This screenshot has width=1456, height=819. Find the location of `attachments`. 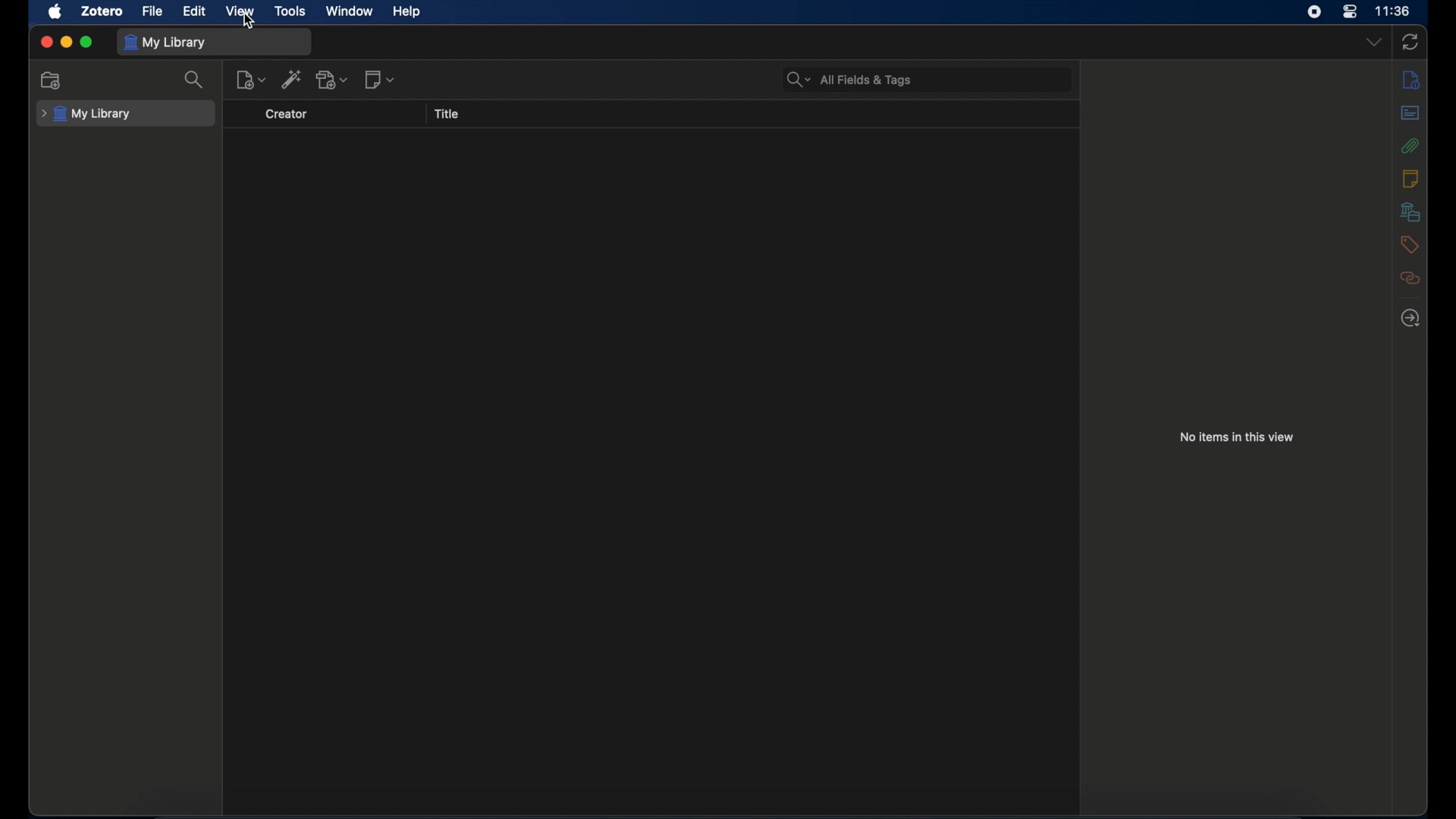

attachments is located at coordinates (1411, 146).